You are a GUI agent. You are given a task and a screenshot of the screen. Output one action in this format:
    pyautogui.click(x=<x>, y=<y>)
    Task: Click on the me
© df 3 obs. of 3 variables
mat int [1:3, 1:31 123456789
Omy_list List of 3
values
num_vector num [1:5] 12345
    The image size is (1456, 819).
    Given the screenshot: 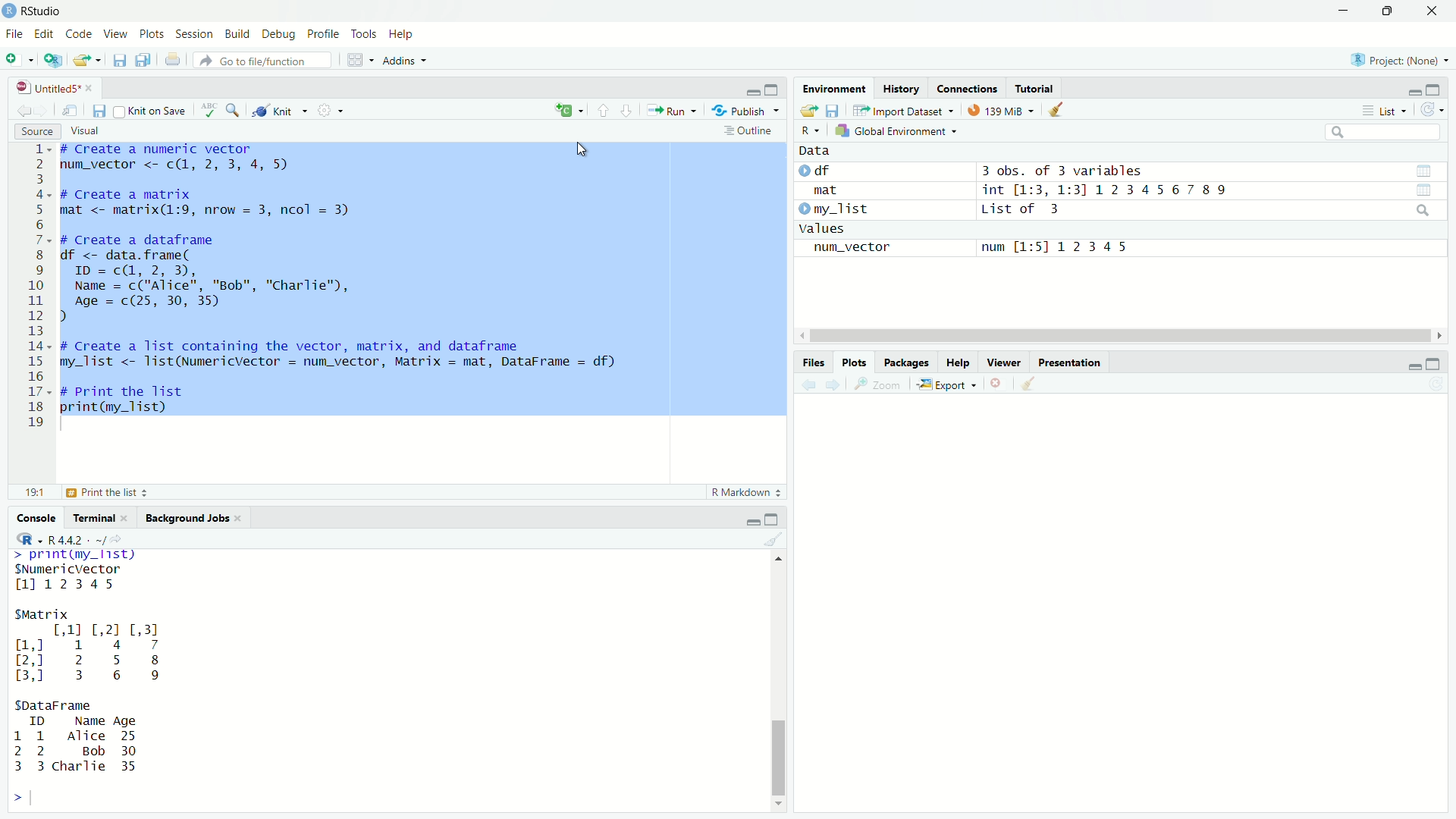 What is the action you would take?
    pyautogui.click(x=1074, y=210)
    